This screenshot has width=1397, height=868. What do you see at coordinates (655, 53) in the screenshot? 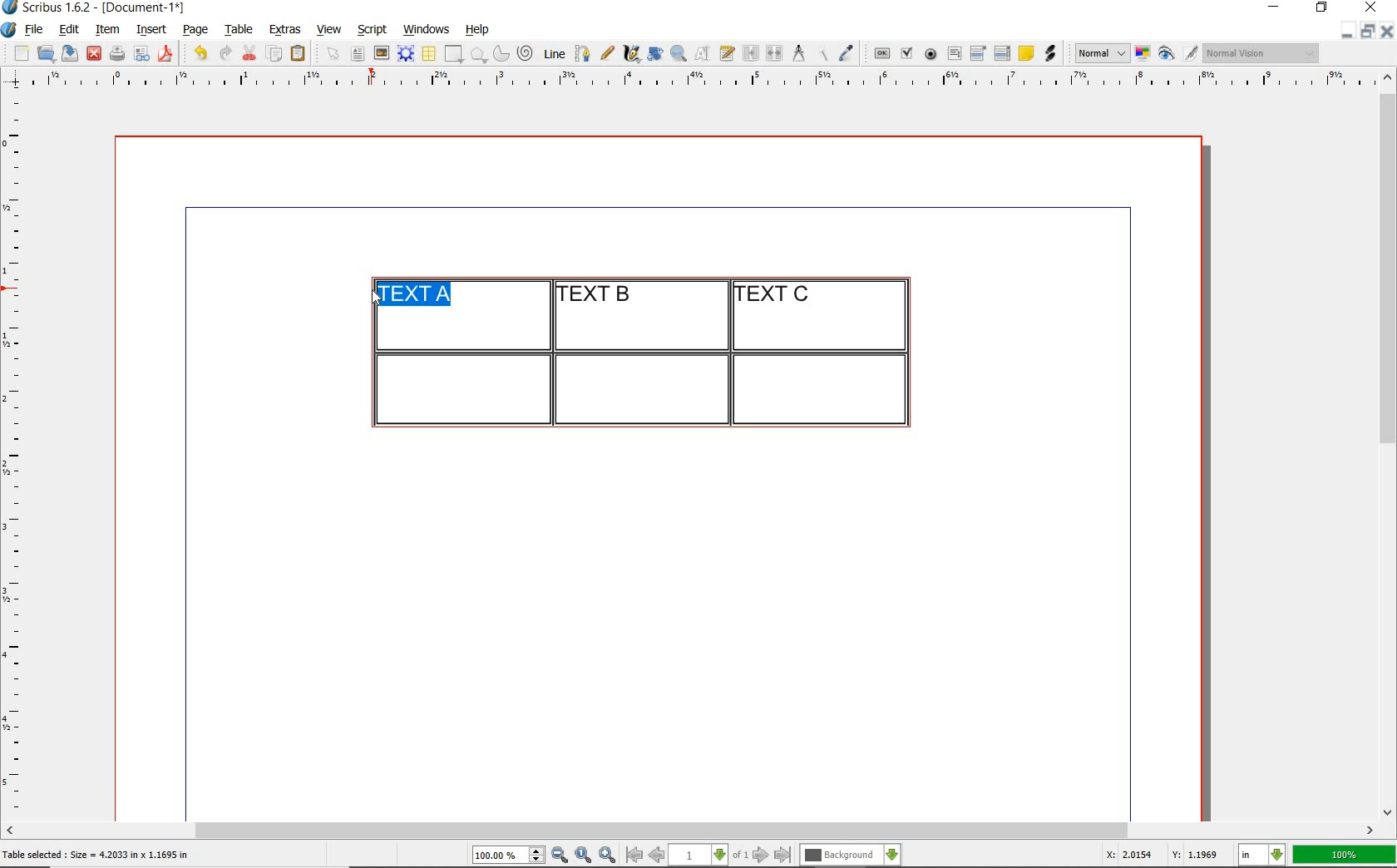
I see `rotate item` at bounding box center [655, 53].